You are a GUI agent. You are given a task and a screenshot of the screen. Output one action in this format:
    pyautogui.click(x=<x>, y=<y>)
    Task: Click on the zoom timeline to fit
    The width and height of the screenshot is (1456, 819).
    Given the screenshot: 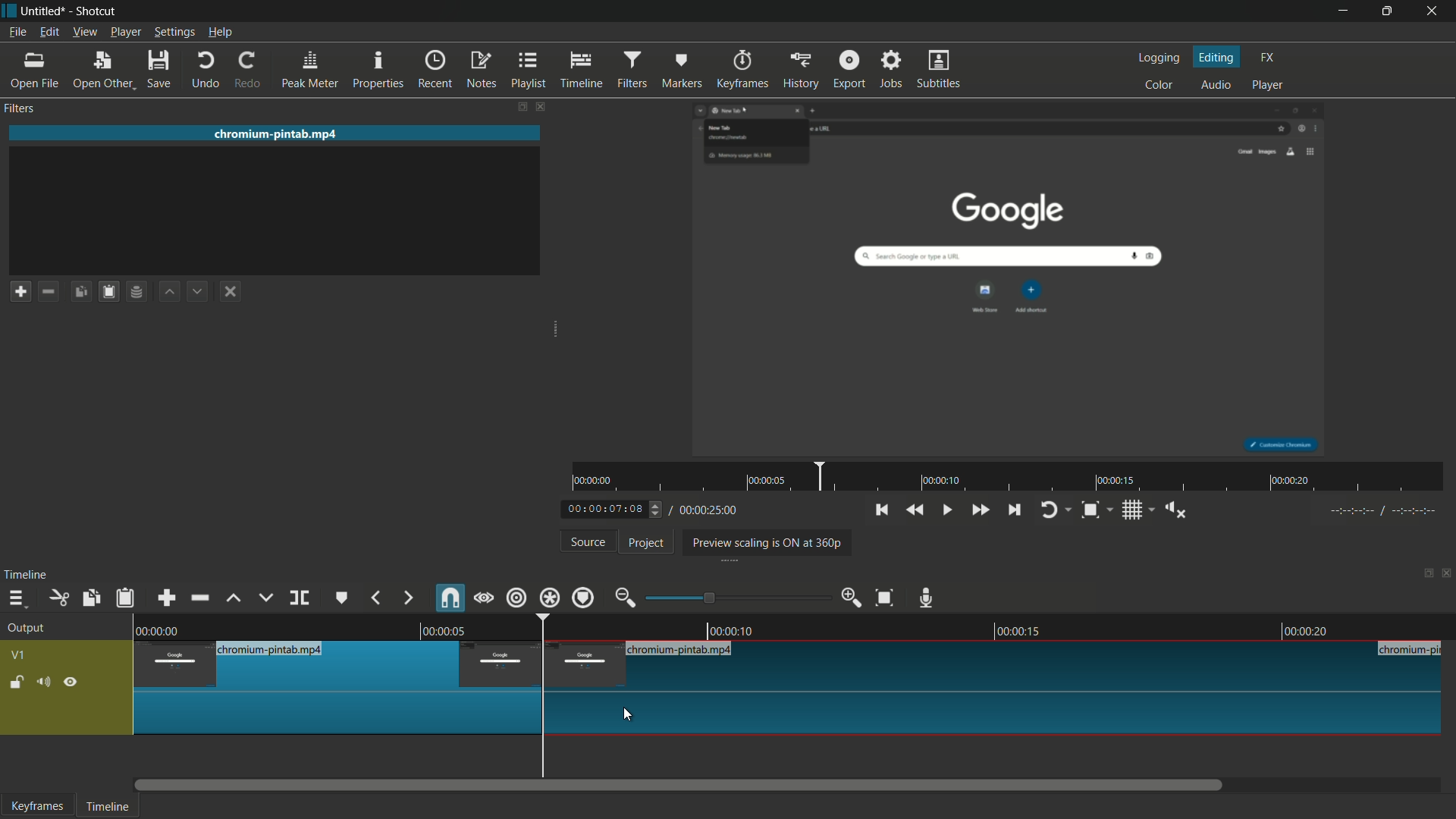 What is the action you would take?
    pyautogui.click(x=888, y=597)
    